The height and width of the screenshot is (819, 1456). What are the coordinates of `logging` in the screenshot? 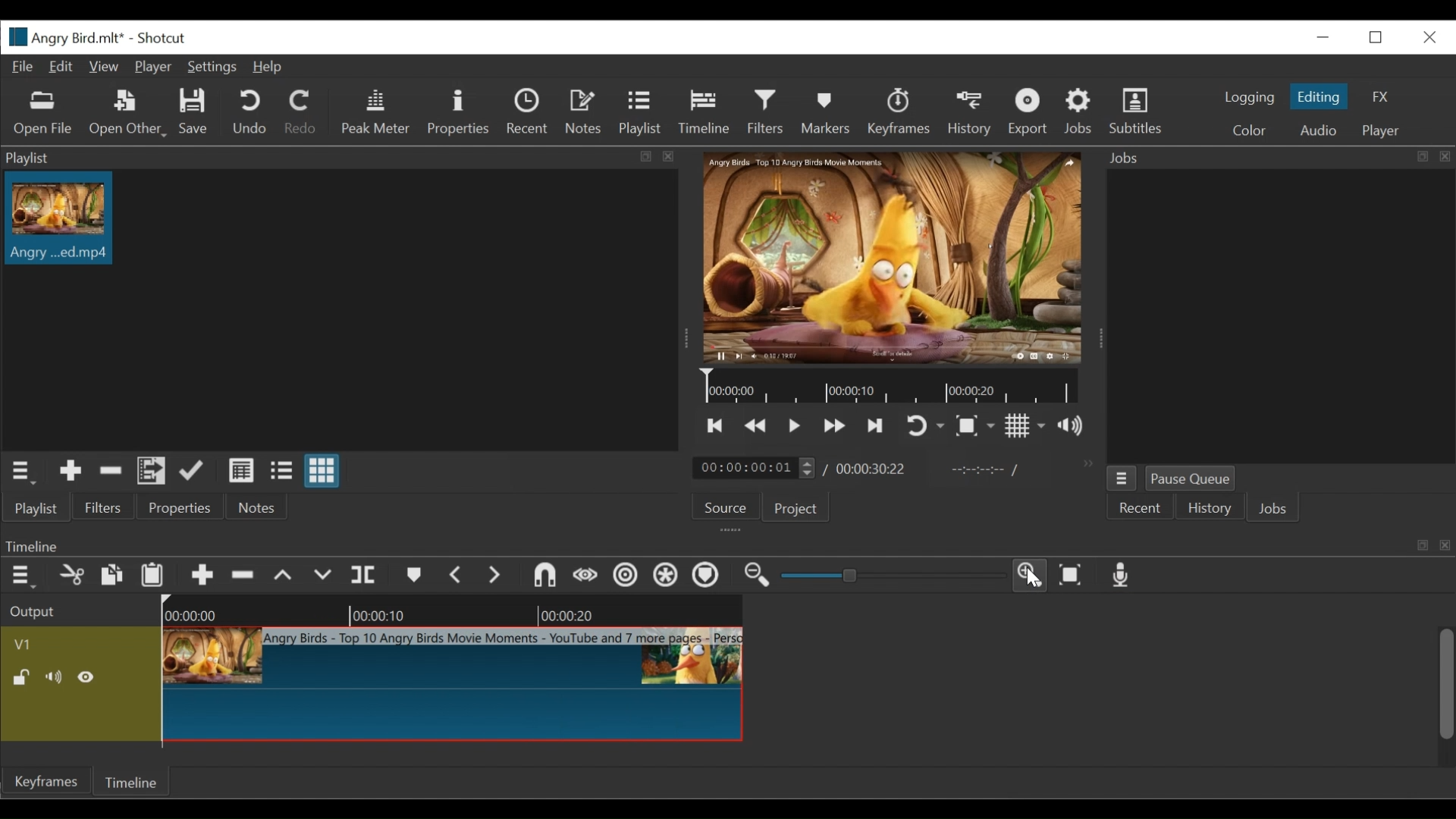 It's located at (1247, 99).